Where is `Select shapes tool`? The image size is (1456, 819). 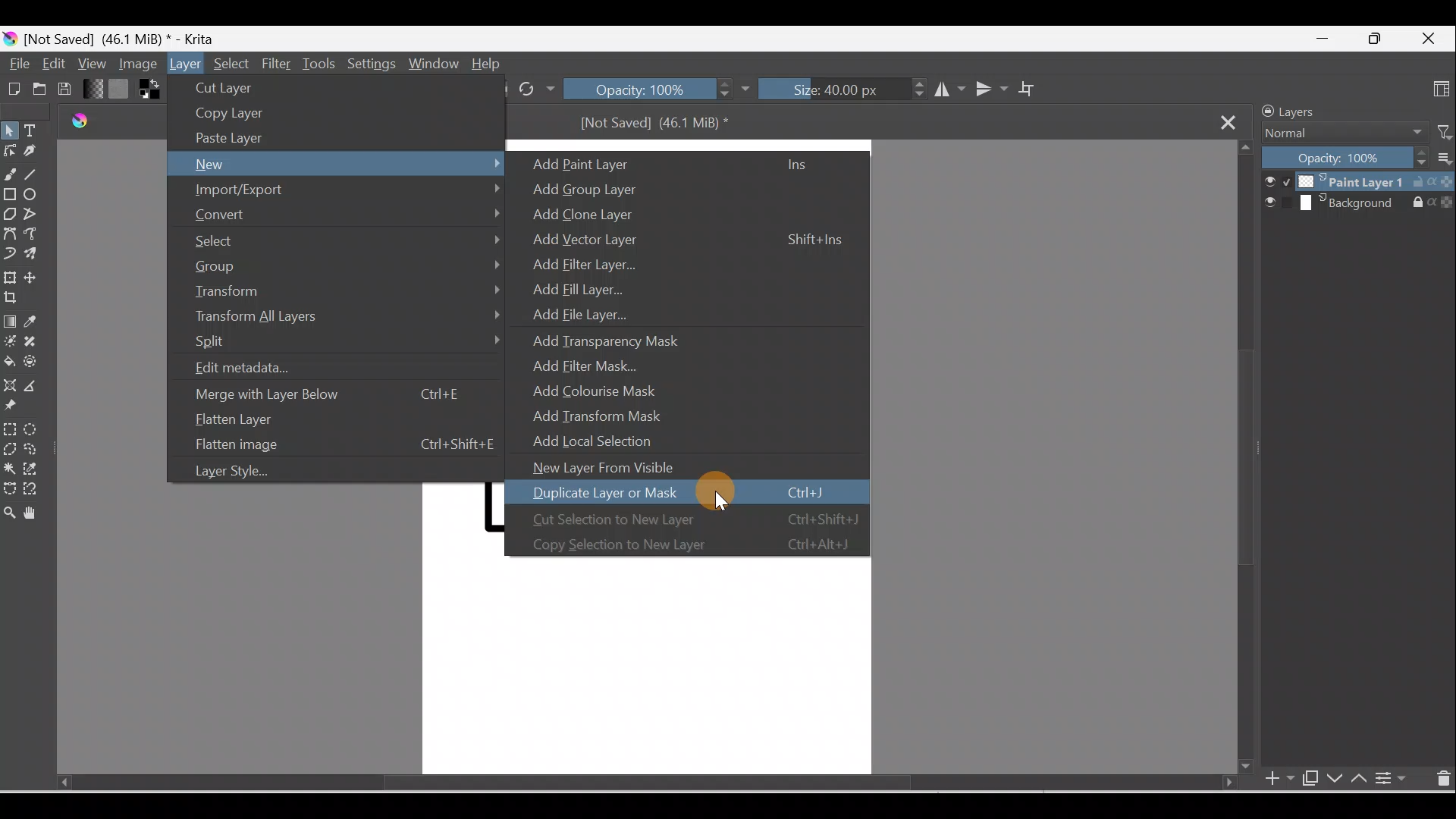
Select shapes tool is located at coordinates (12, 130).